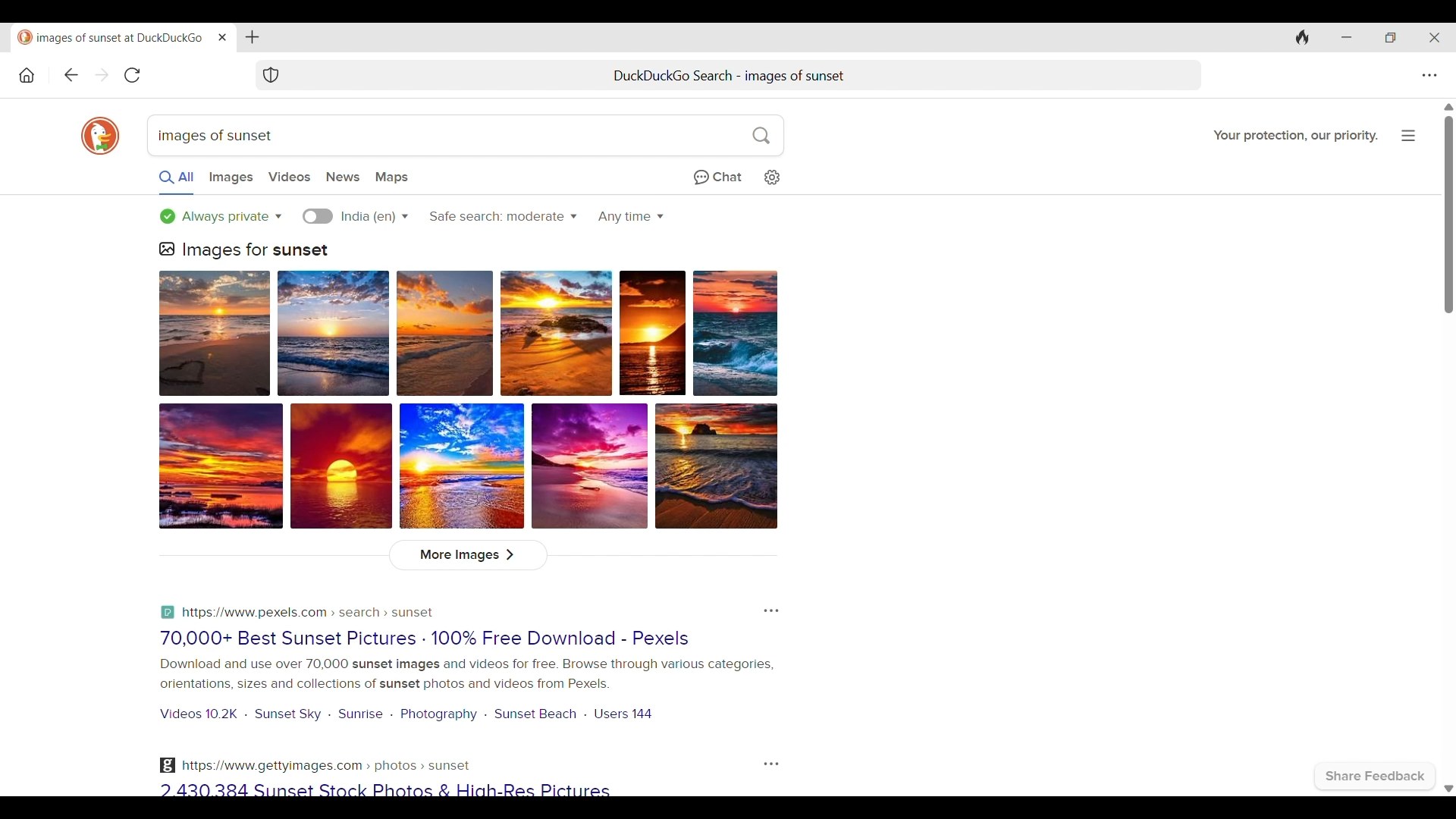  I want to click on Safe search options, so click(504, 217).